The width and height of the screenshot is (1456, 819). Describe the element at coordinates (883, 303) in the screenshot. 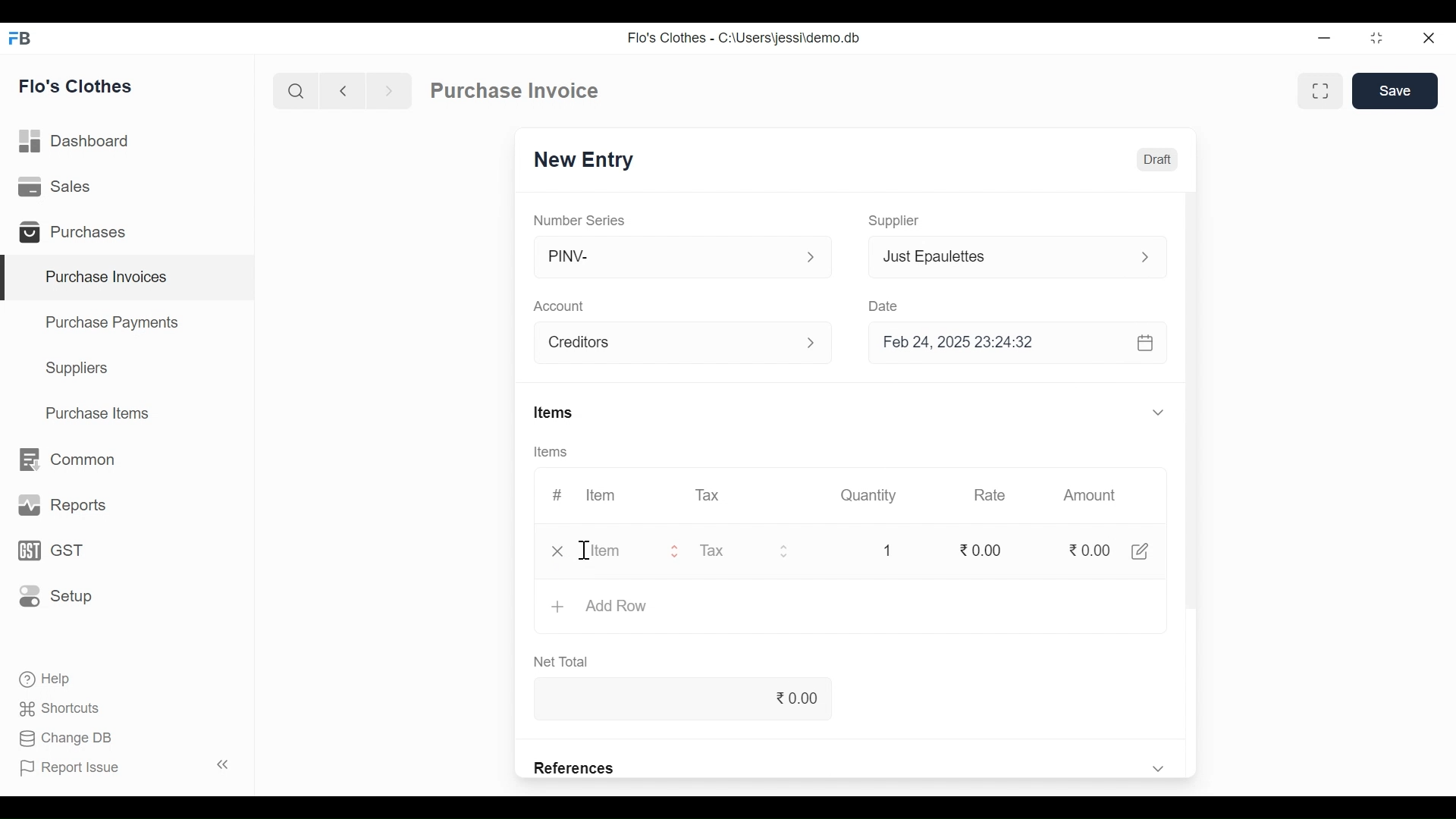

I see `Date` at that location.